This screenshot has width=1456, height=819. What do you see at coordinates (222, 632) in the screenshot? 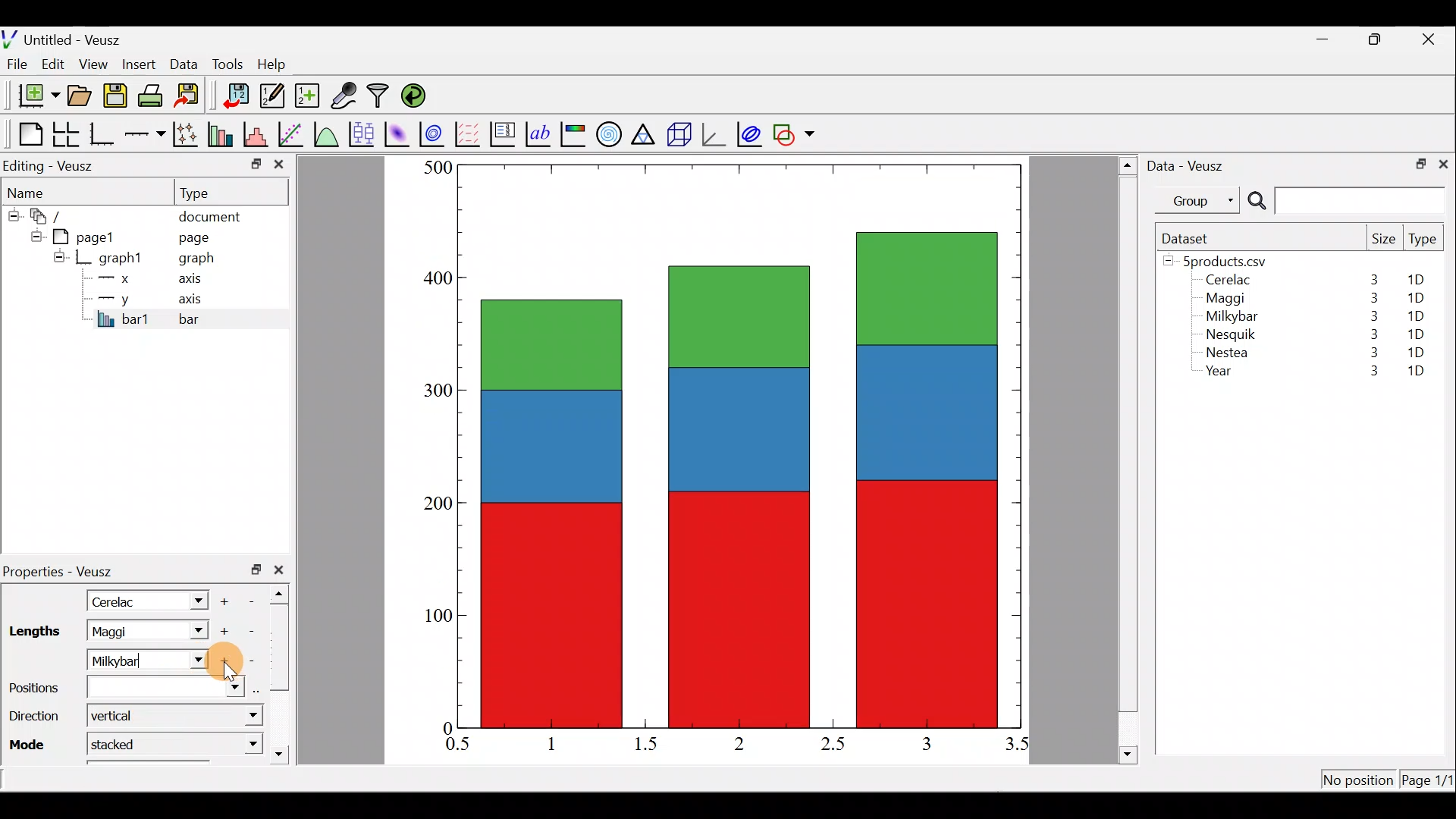
I see `Add another item` at bounding box center [222, 632].